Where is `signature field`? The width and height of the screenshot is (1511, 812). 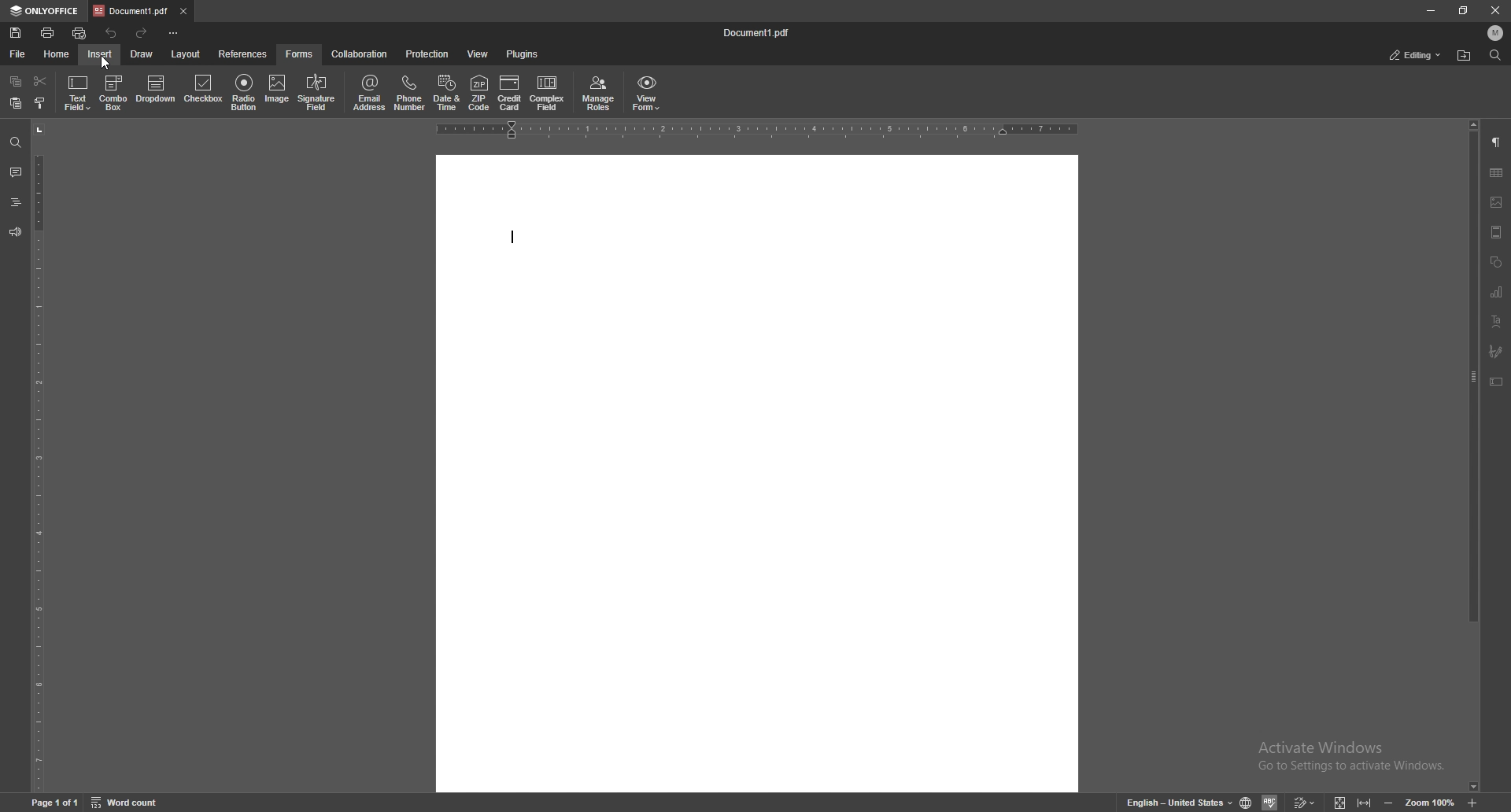
signature field is located at coordinates (317, 92).